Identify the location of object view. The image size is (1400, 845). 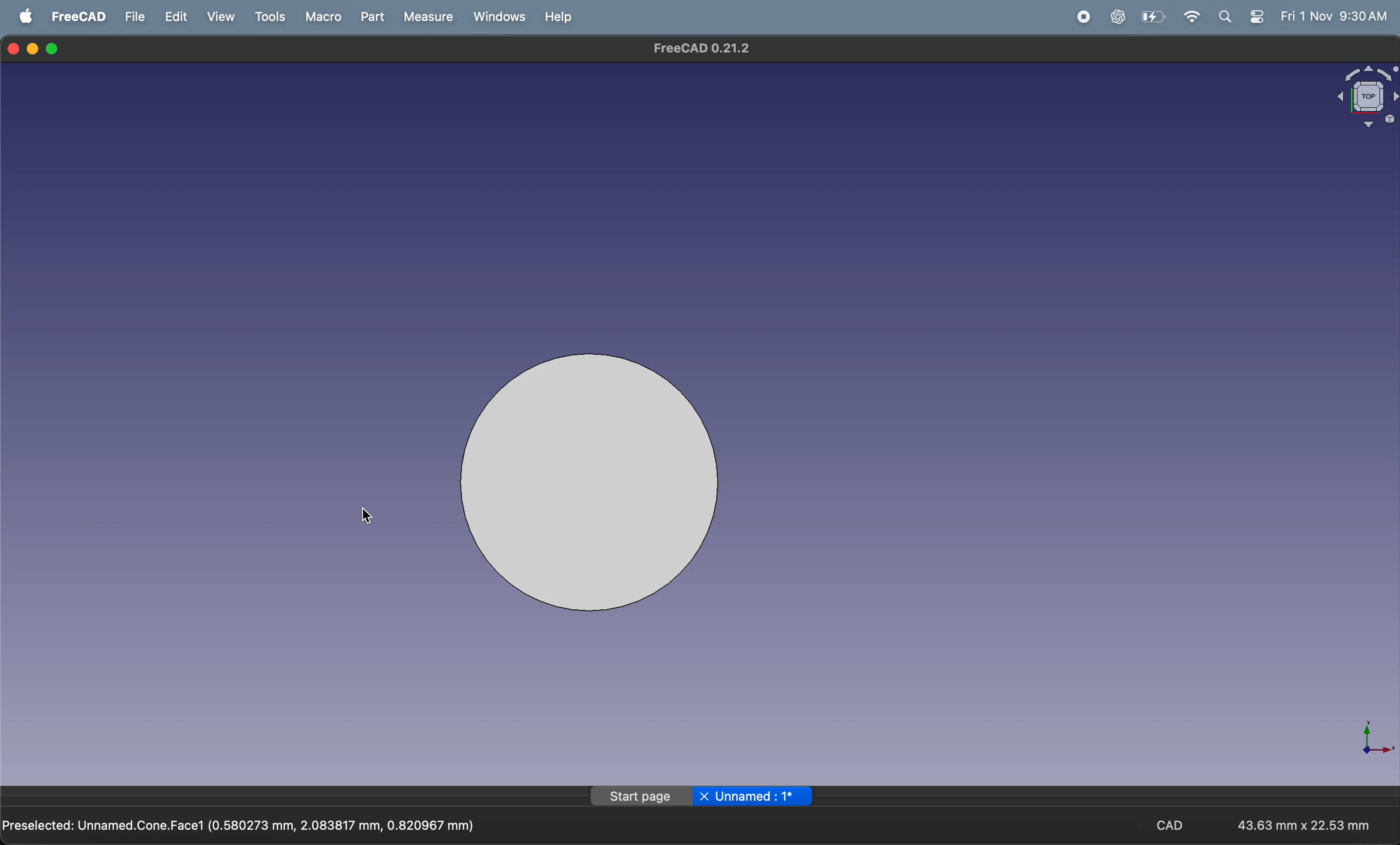
(1352, 94).